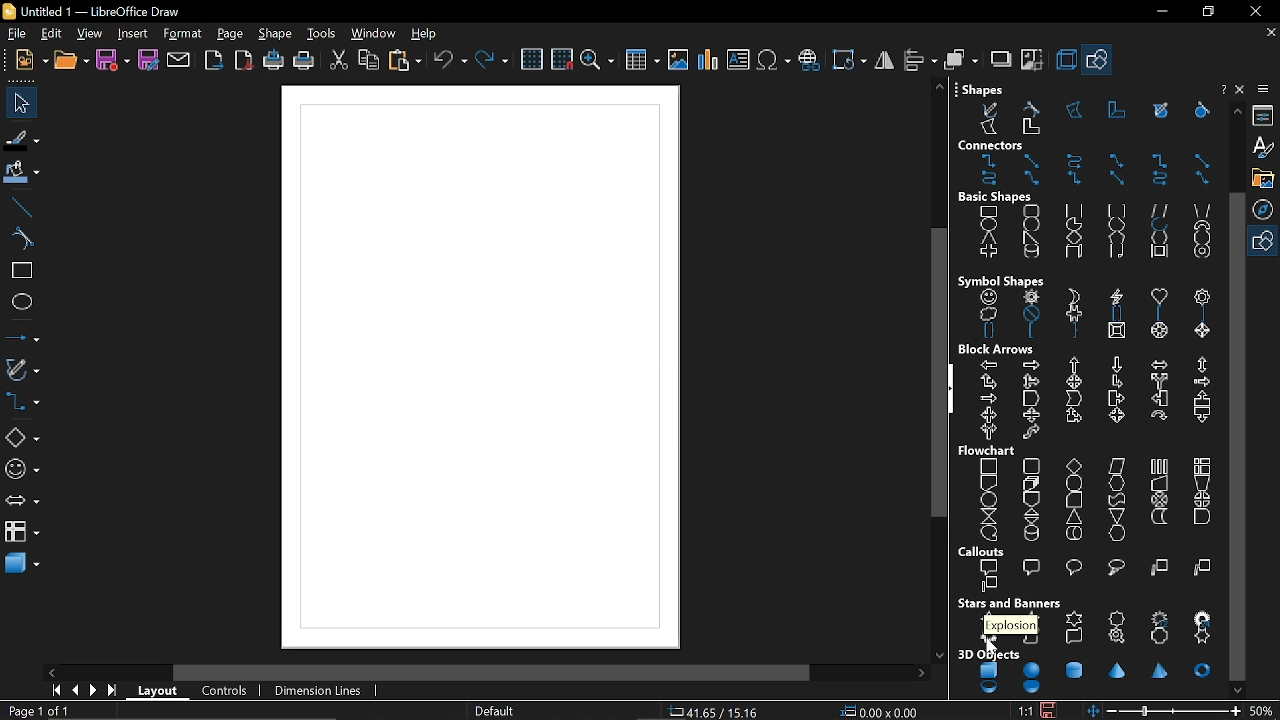 The width and height of the screenshot is (1280, 720). I want to click on go to last page, so click(114, 692).